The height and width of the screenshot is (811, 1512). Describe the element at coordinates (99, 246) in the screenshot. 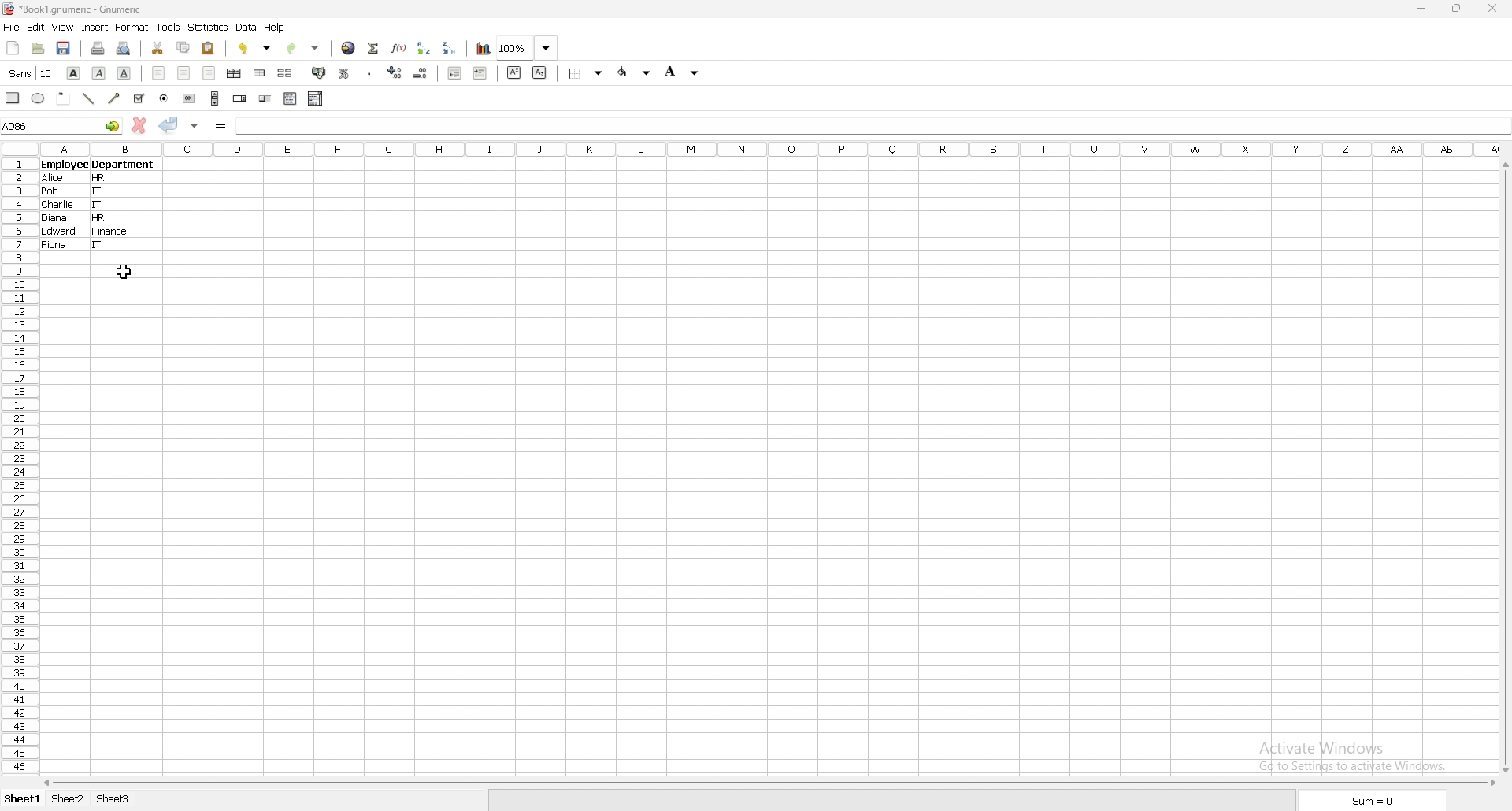

I see `it` at that location.